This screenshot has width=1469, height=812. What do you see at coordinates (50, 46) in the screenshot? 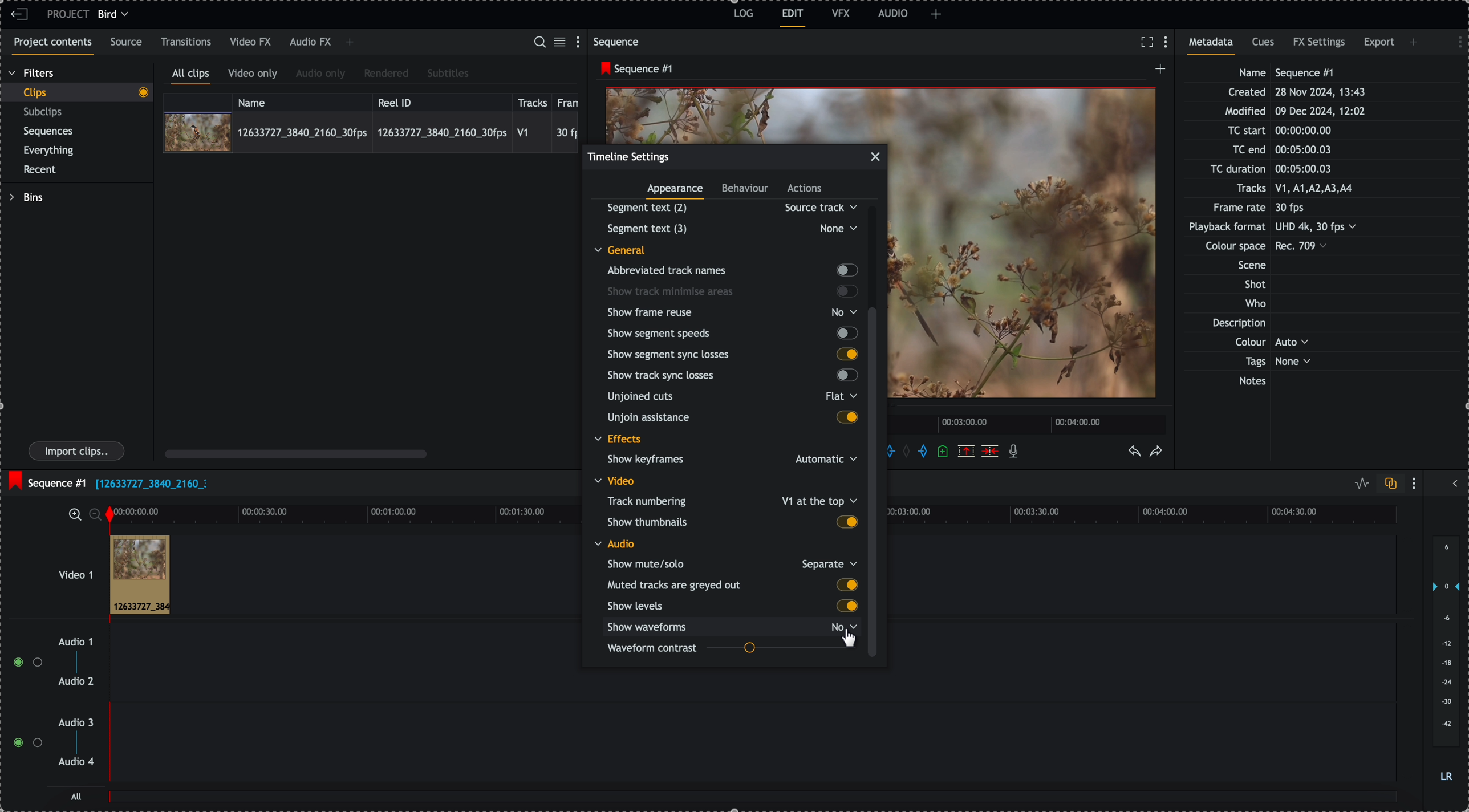
I see `project contents` at bounding box center [50, 46].